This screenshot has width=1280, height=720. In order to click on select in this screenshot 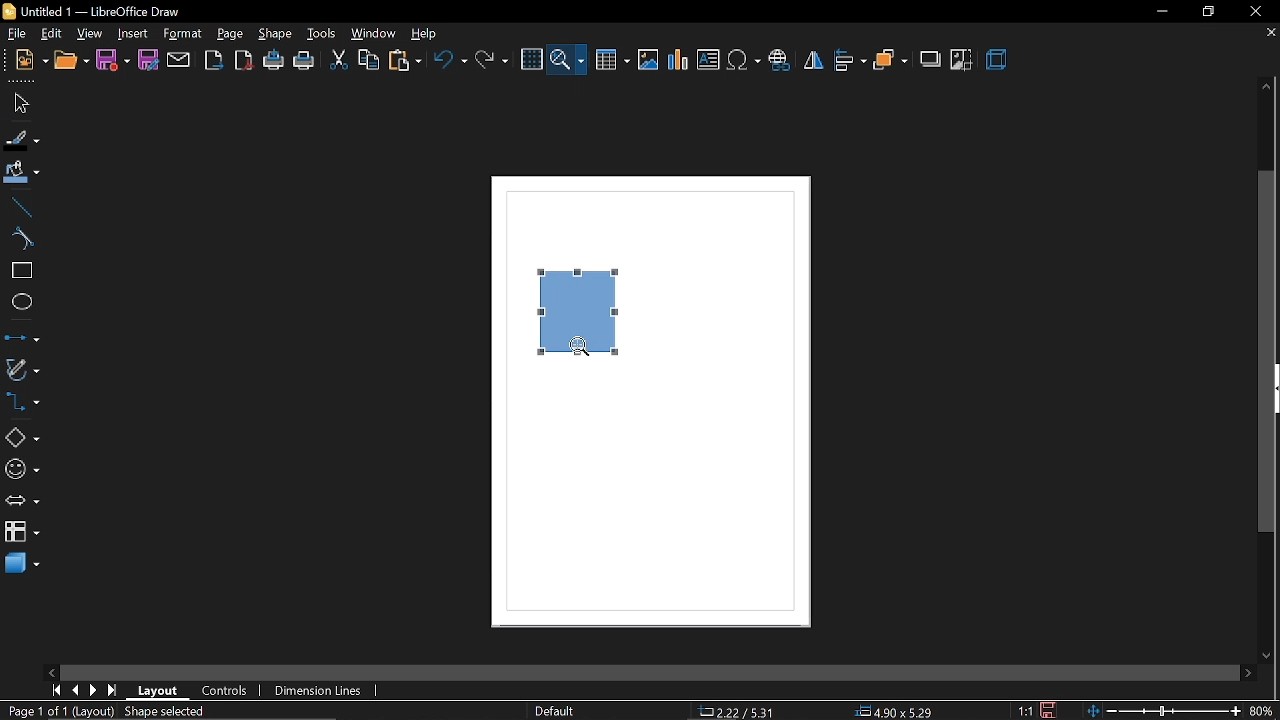, I will do `click(21, 104)`.